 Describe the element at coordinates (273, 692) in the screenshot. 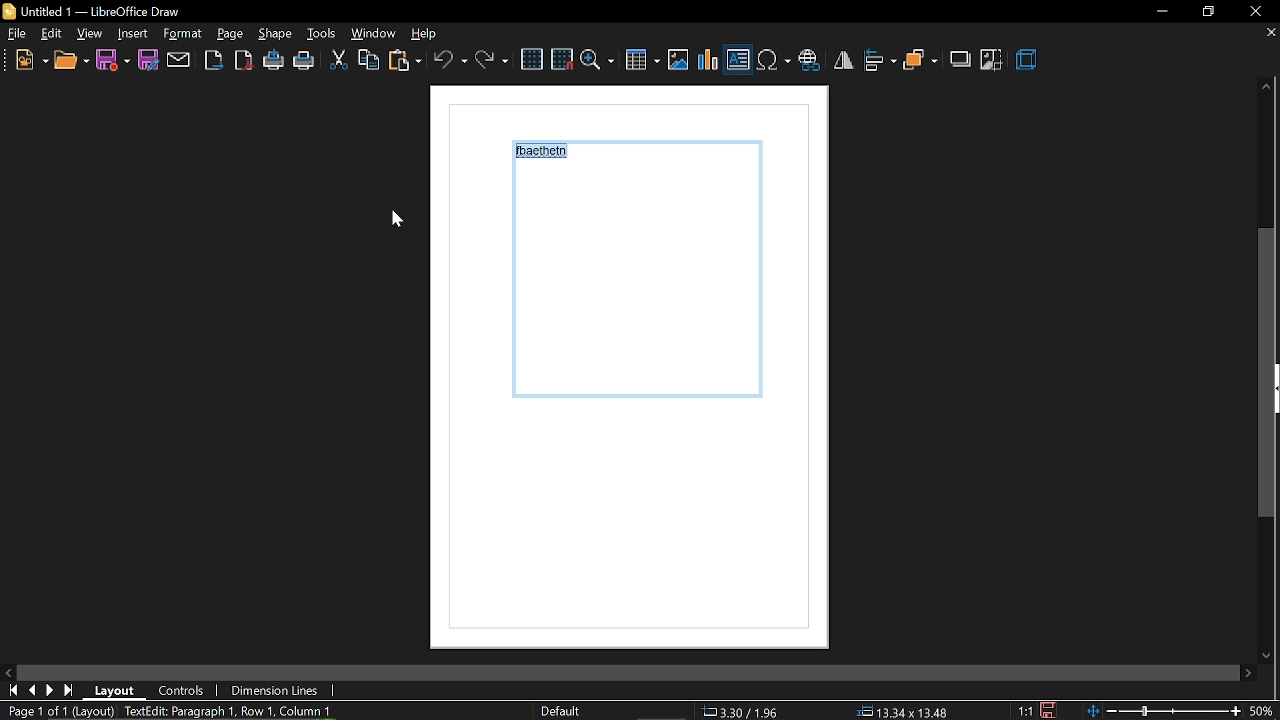

I see `dimension lines` at that location.